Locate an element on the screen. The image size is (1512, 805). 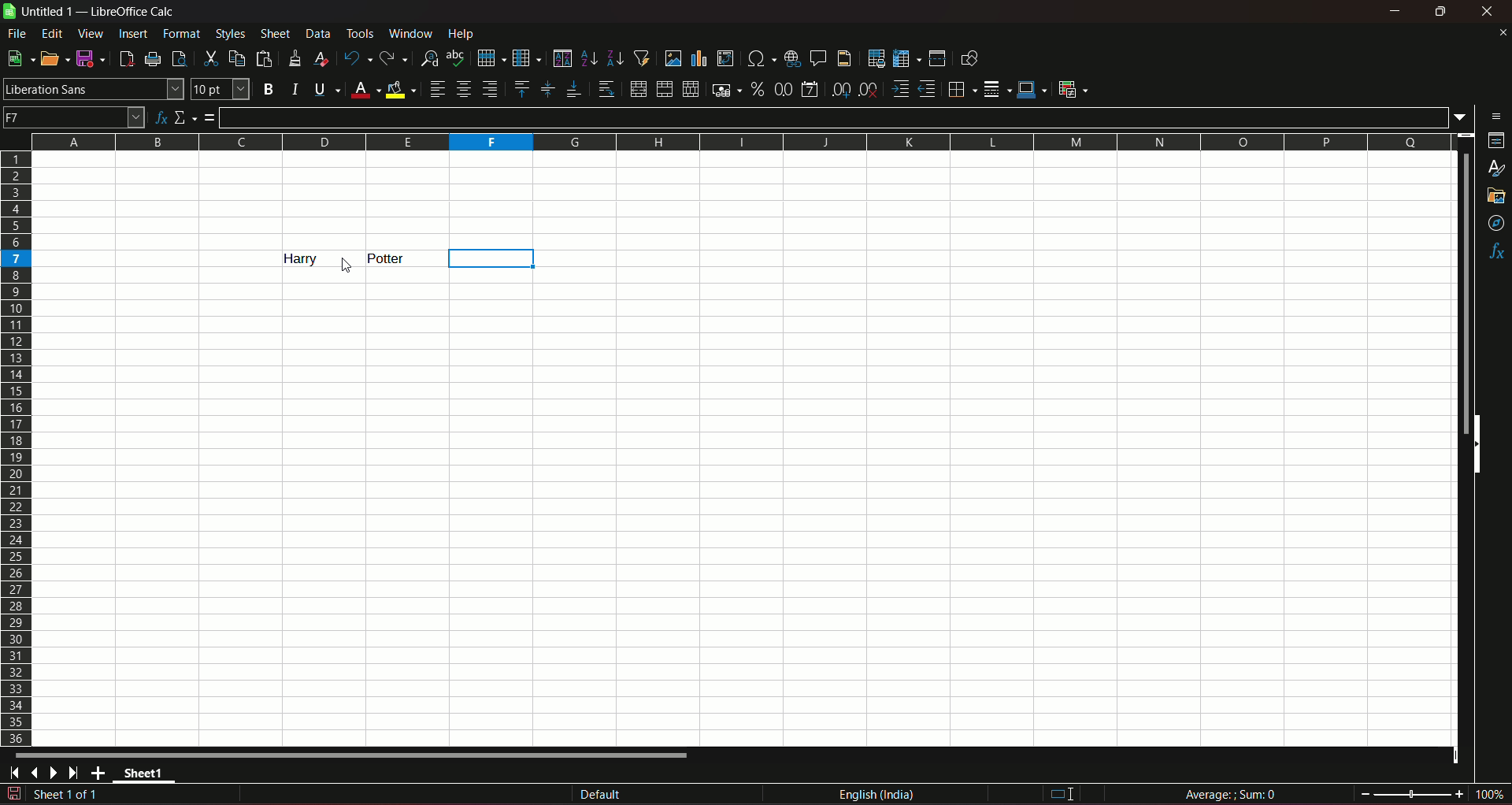
bold is located at coordinates (268, 90).